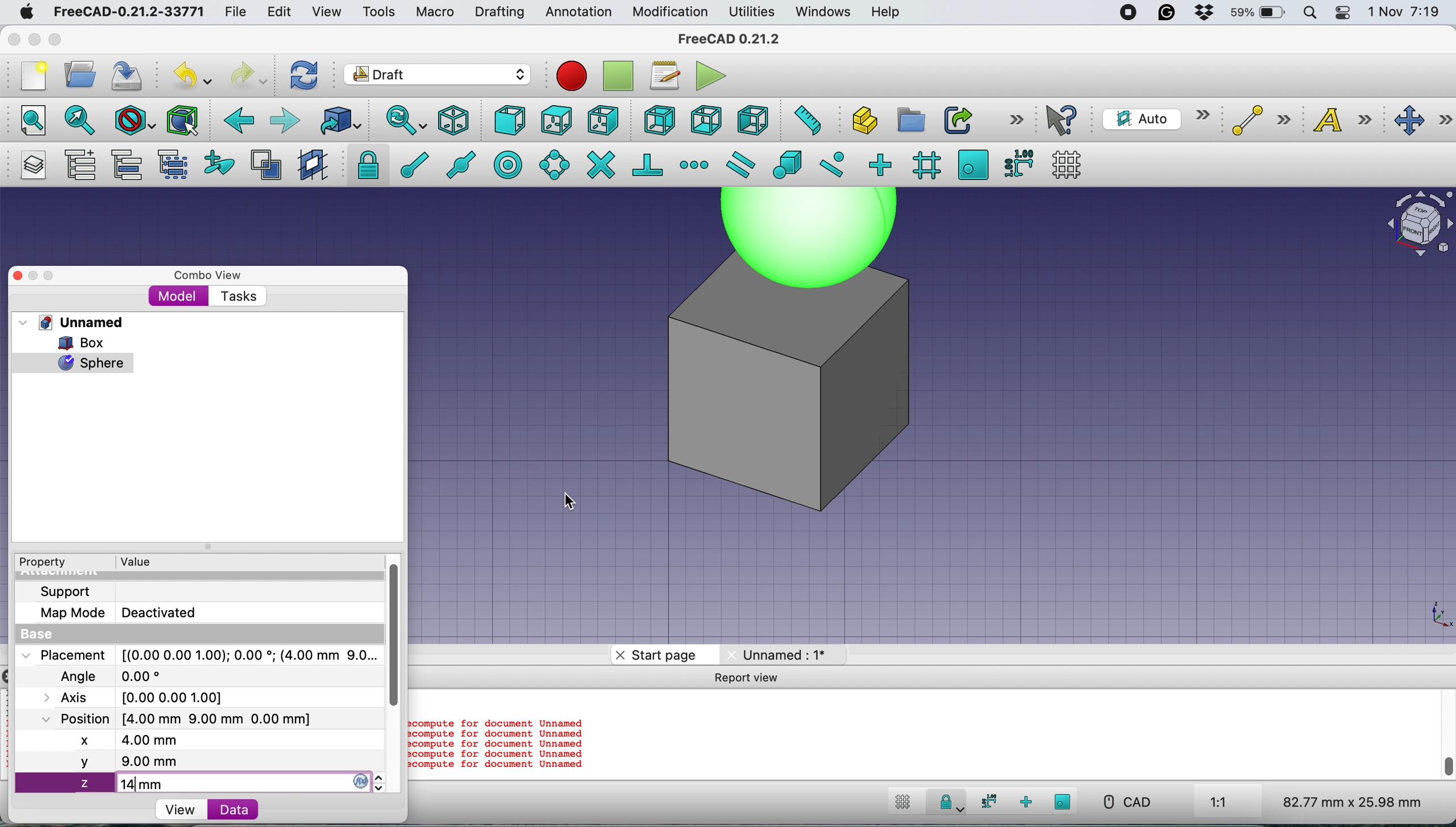 Image resolution: width=1456 pixels, height=827 pixels. Describe the element at coordinates (726, 655) in the screenshot. I see `close tab` at that location.